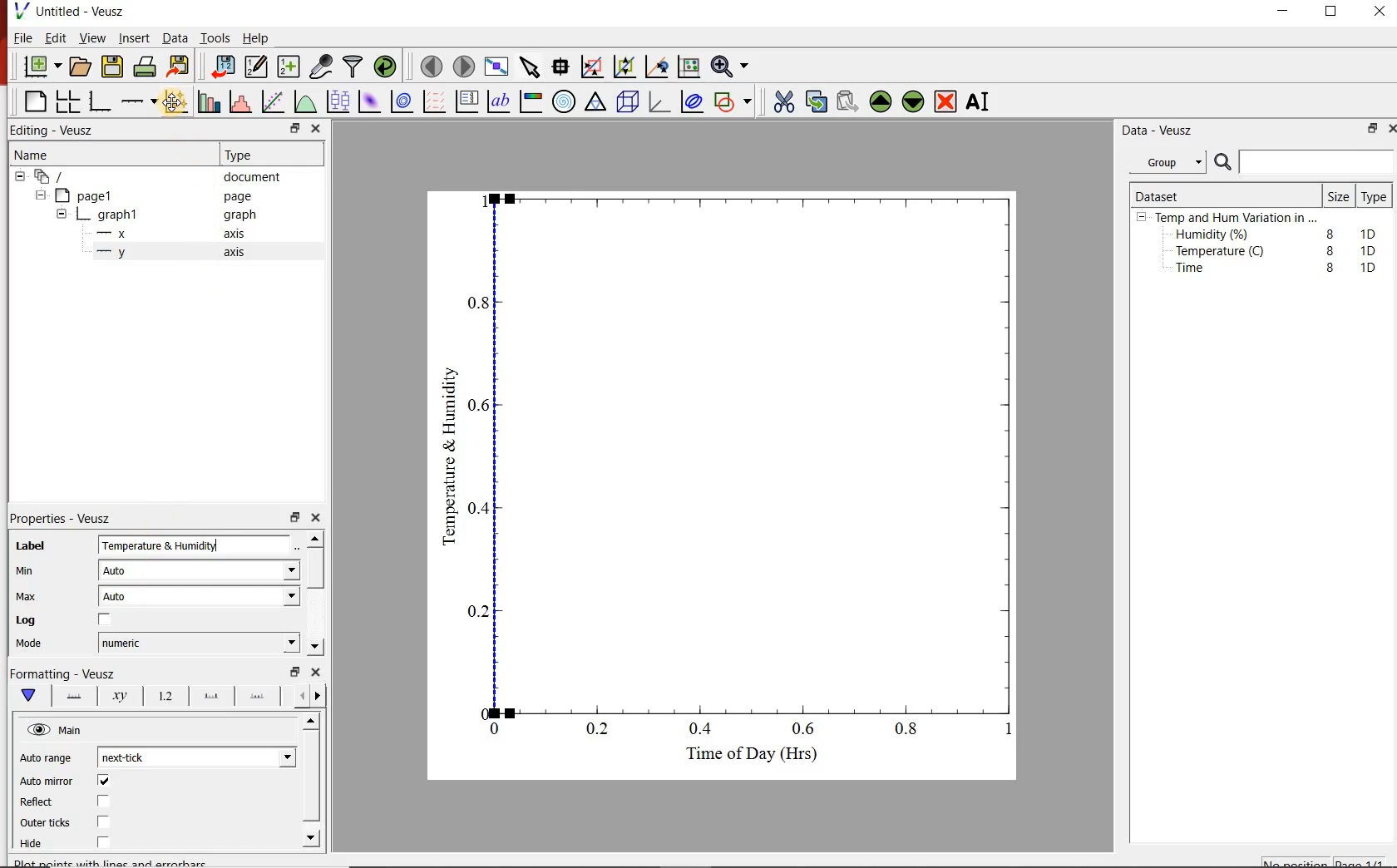  Describe the element at coordinates (62, 213) in the screenshot. I see `hide sub menu` at that location.